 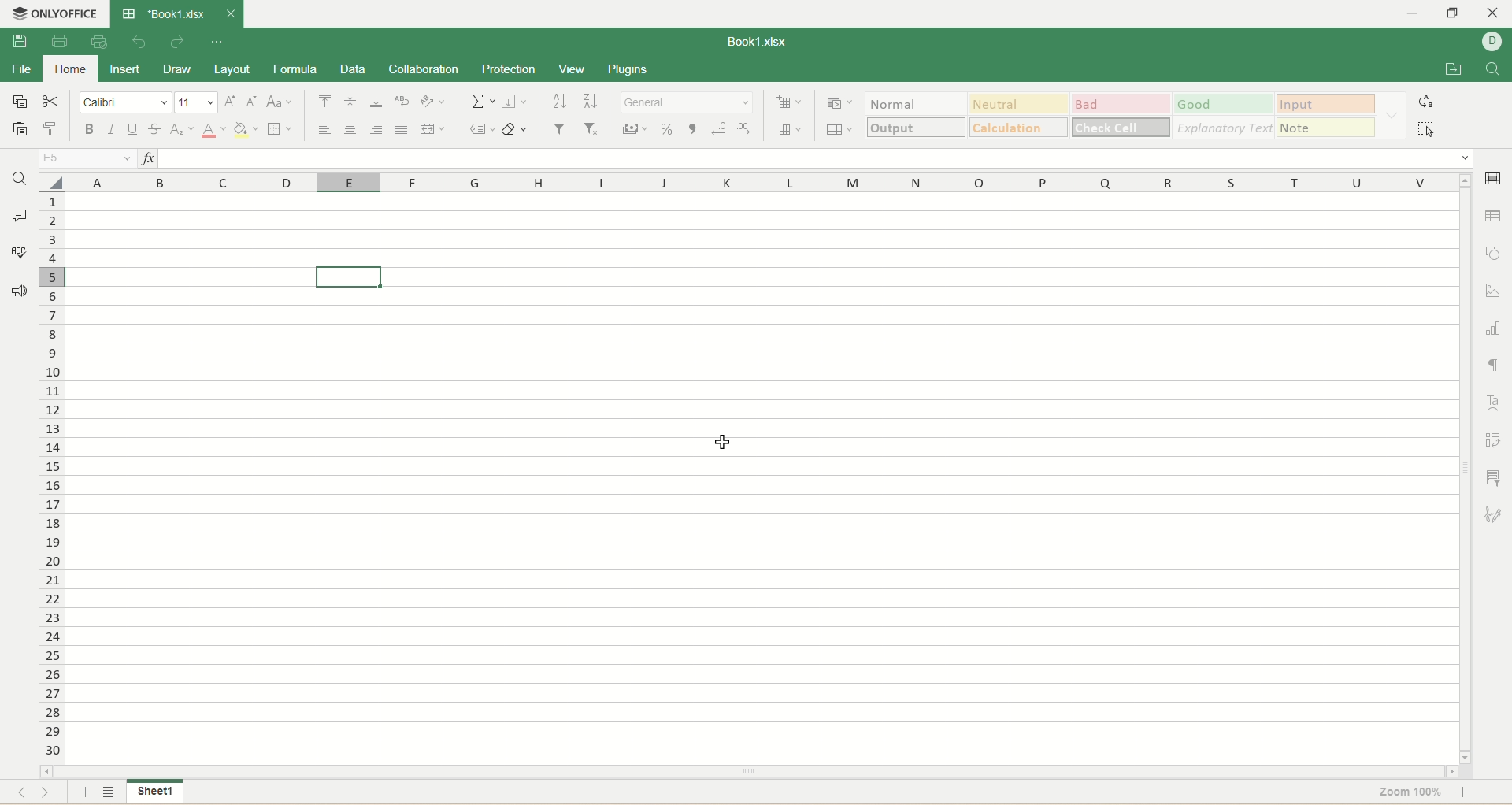 I want to click on number format, so click(x=686, y=103).